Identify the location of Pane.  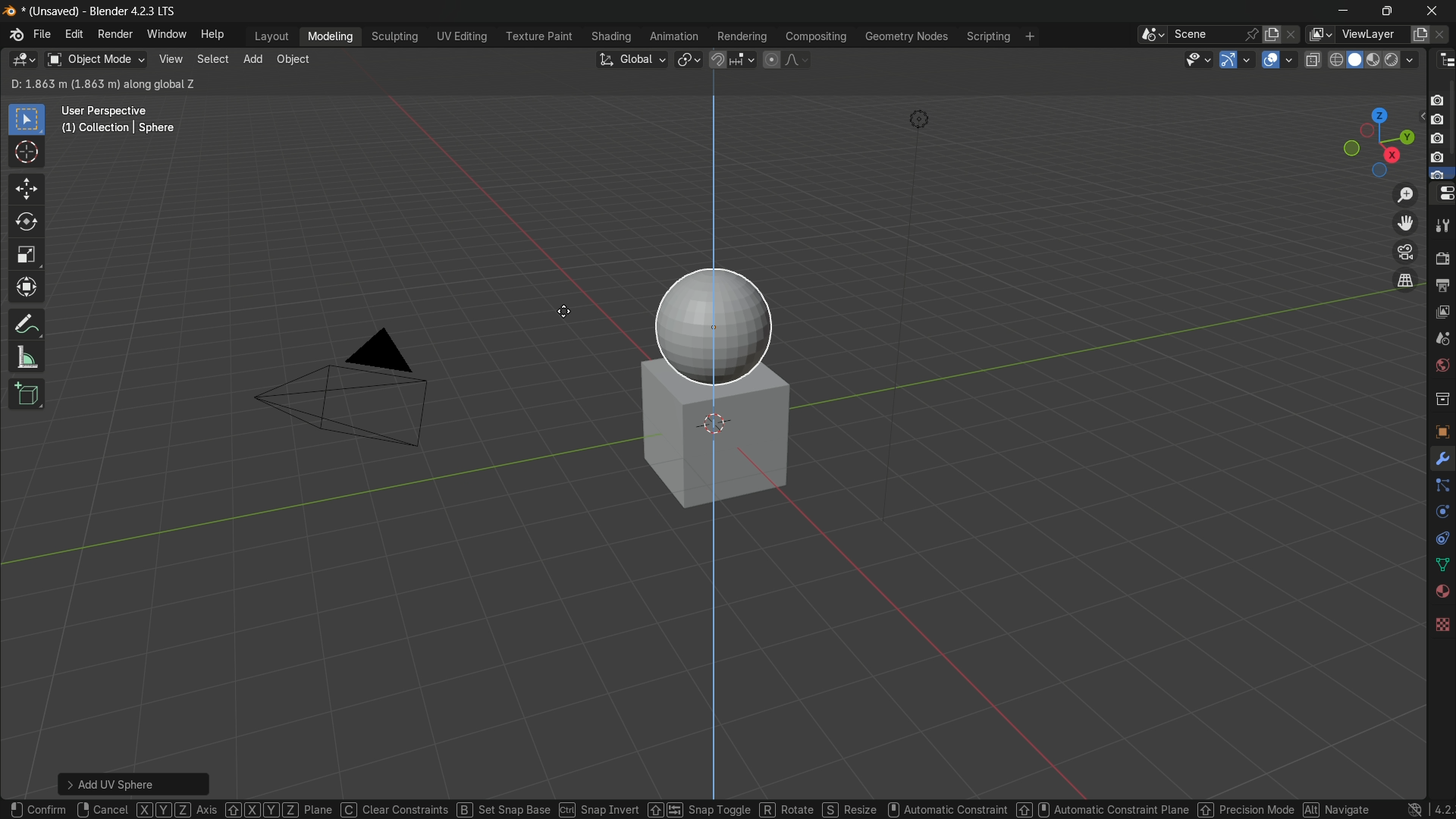
(280, 808).